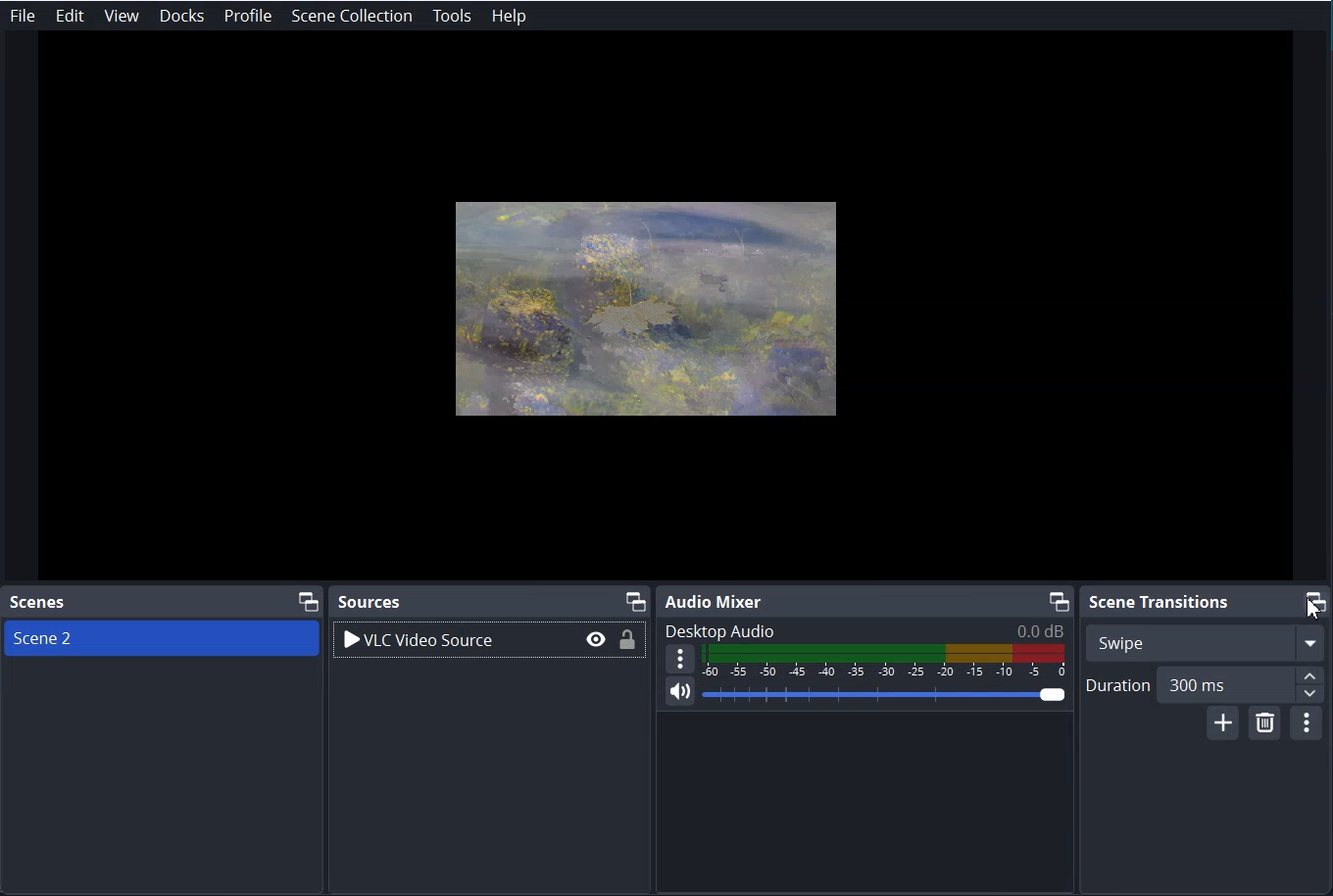 The width and height of the screenshot is (1333, 896). Describe the element at coordinates (23, 16) in the screenshot. I see `File` at that location.